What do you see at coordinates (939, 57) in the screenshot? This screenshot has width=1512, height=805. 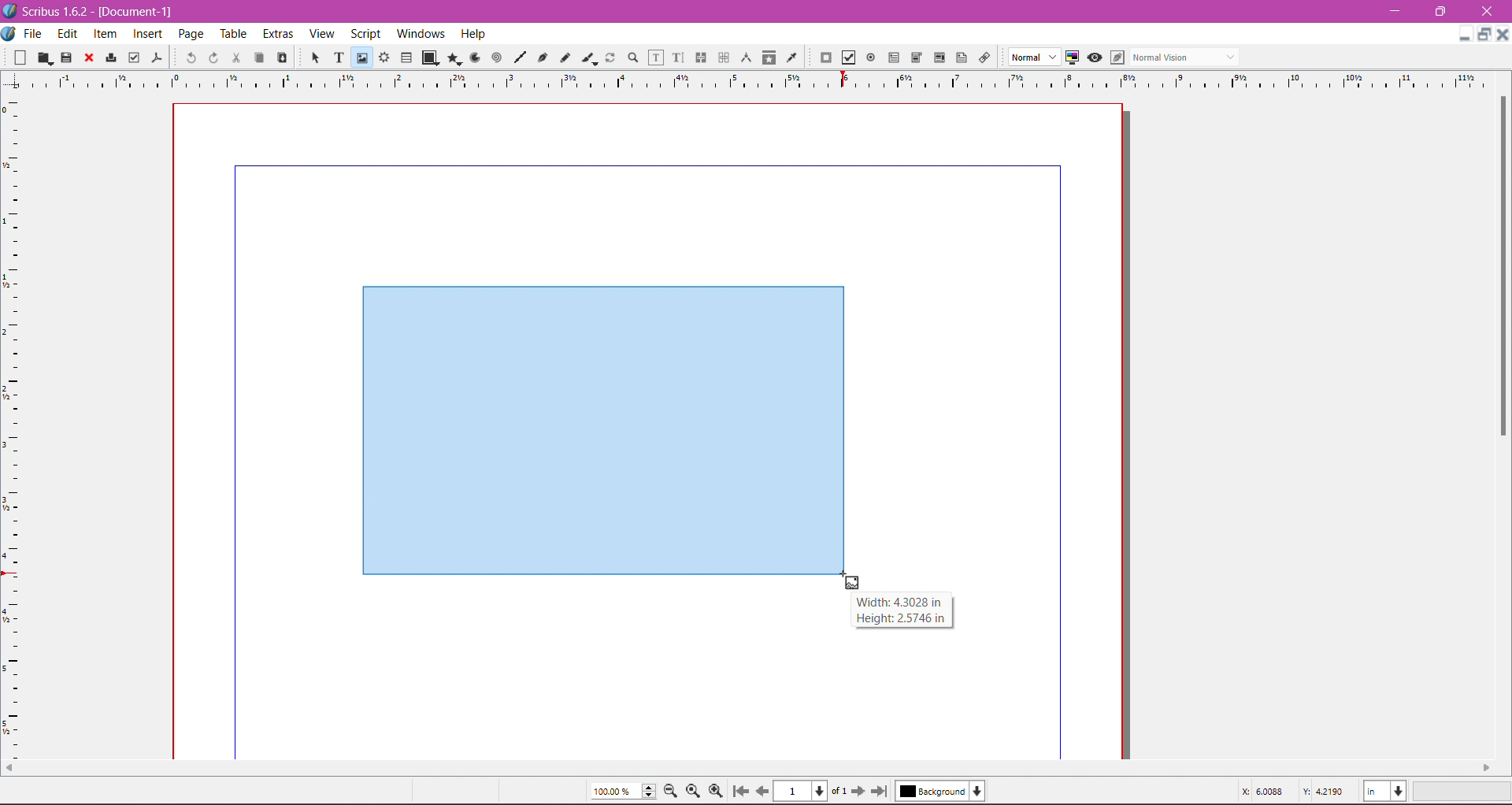 I see `PDF List Box` at bounding box center [939, 57].